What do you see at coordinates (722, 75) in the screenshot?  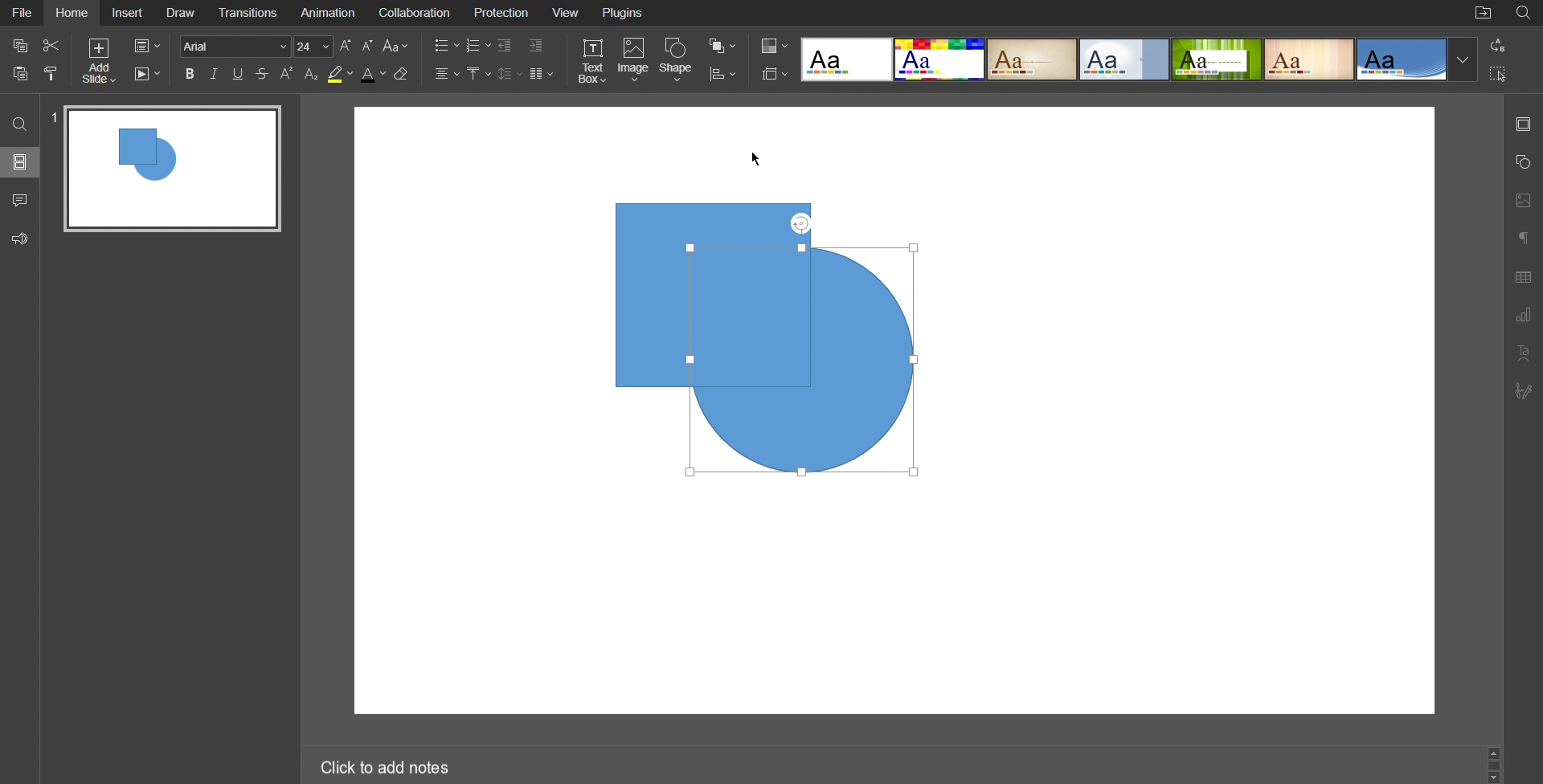 I see `Distribute` at bounding box center [722, 75].